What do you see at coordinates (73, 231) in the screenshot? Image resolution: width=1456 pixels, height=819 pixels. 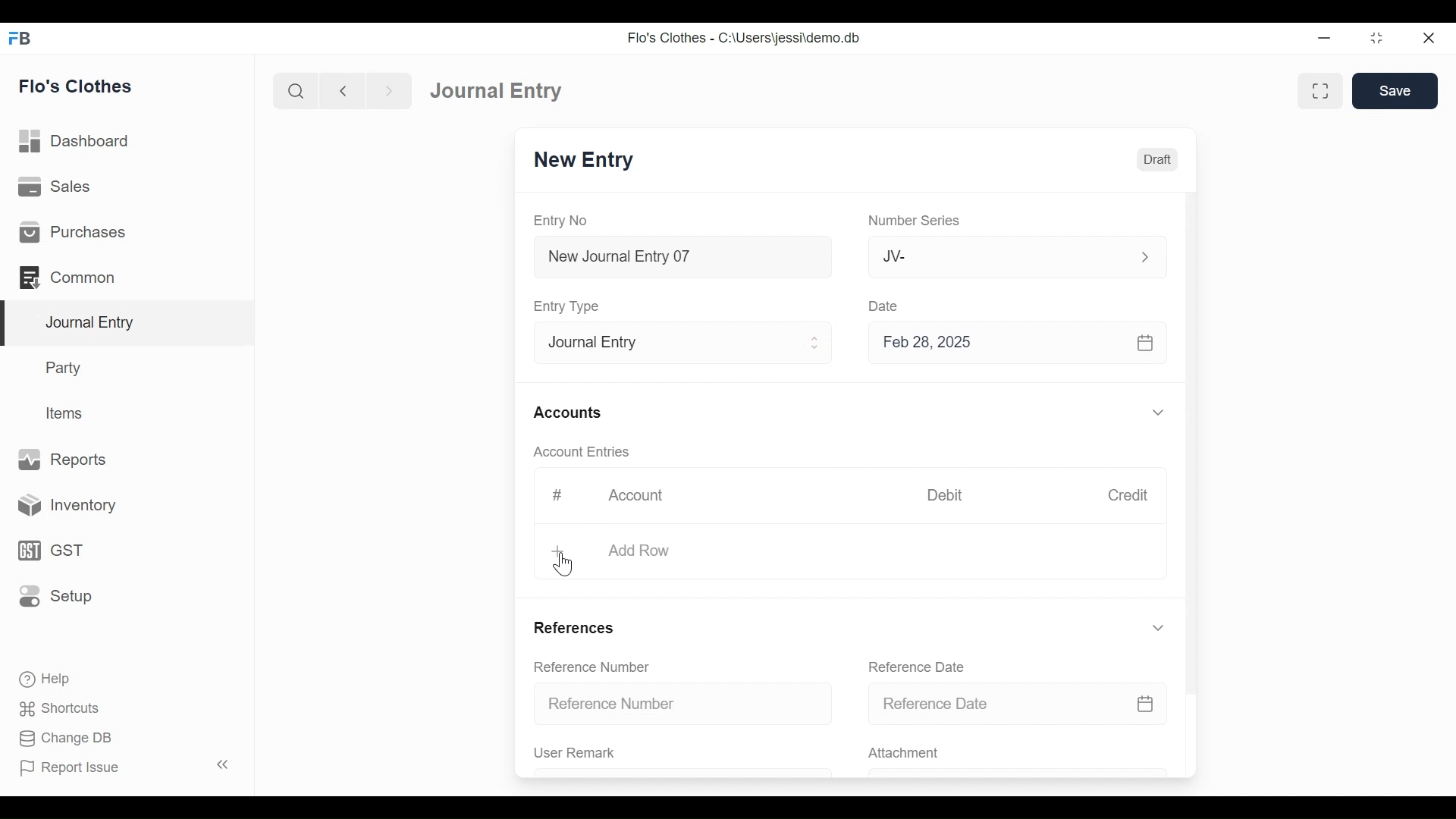 I see `Purchases` at bounding box center [73, 231].